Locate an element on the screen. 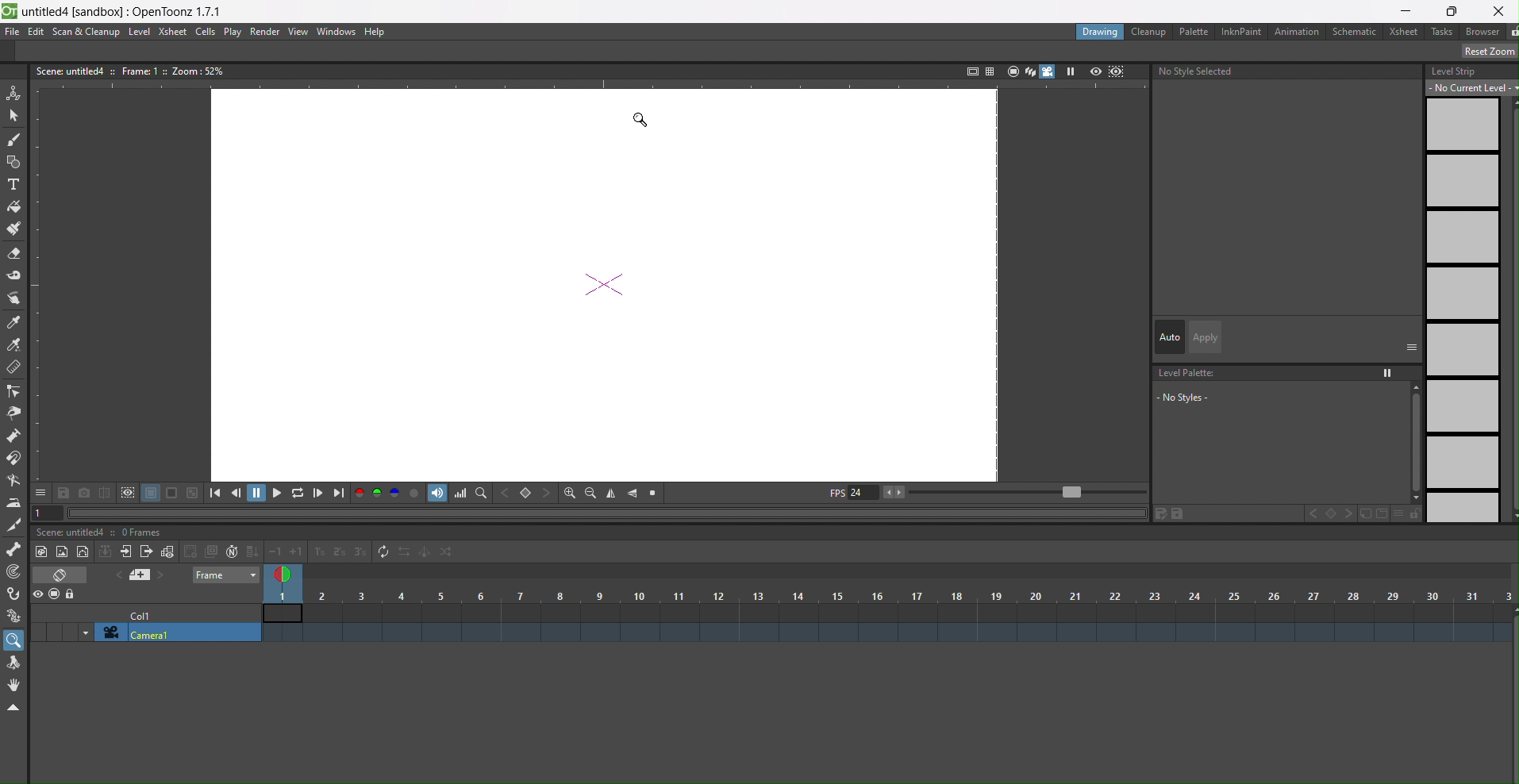 This screenshot has height=784, width=1519. type tool  is located at coordinates (17, 184).